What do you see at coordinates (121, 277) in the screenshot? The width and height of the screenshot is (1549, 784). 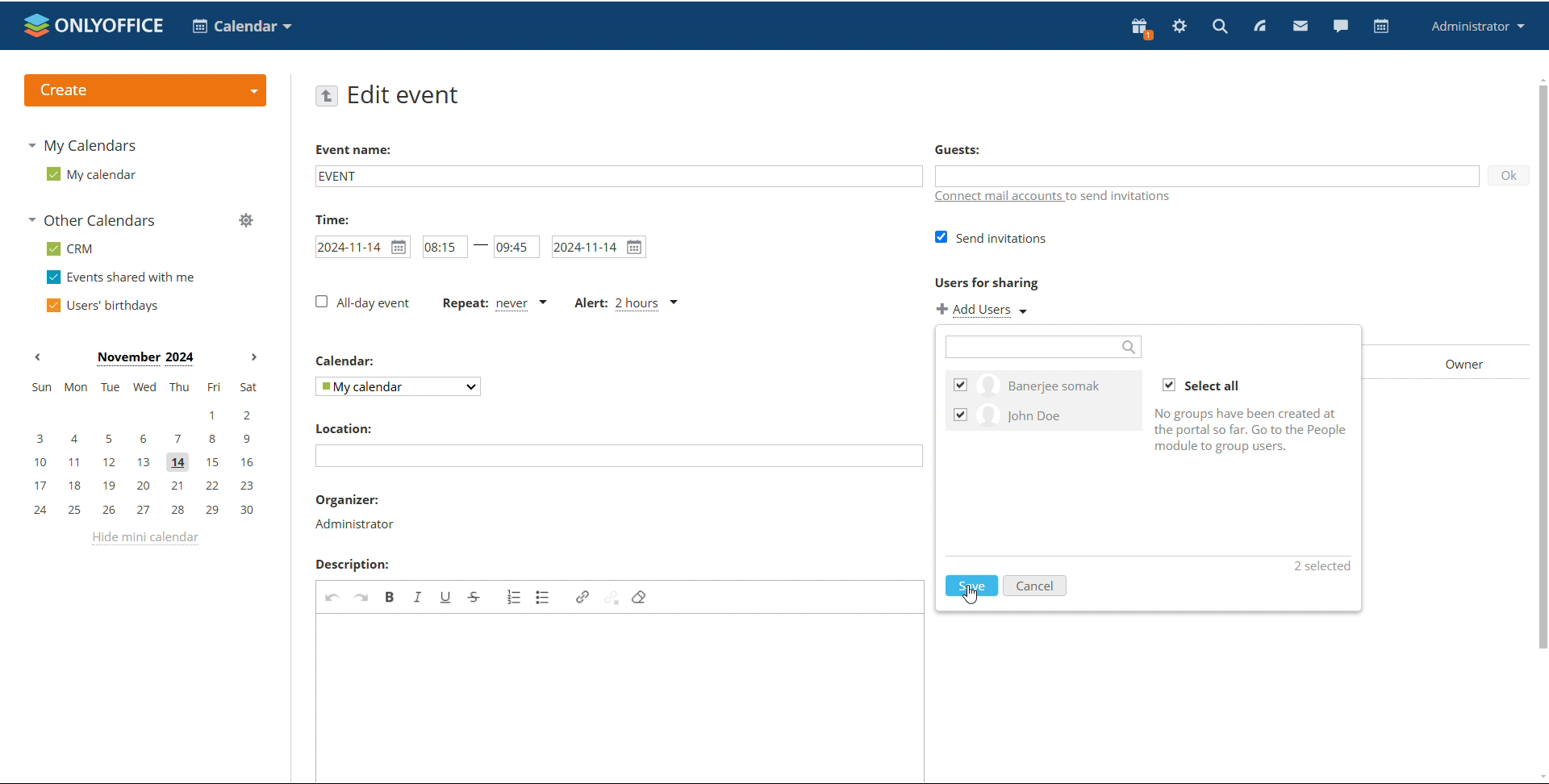 I see `events shared with me` at bounding box center [121, 277].